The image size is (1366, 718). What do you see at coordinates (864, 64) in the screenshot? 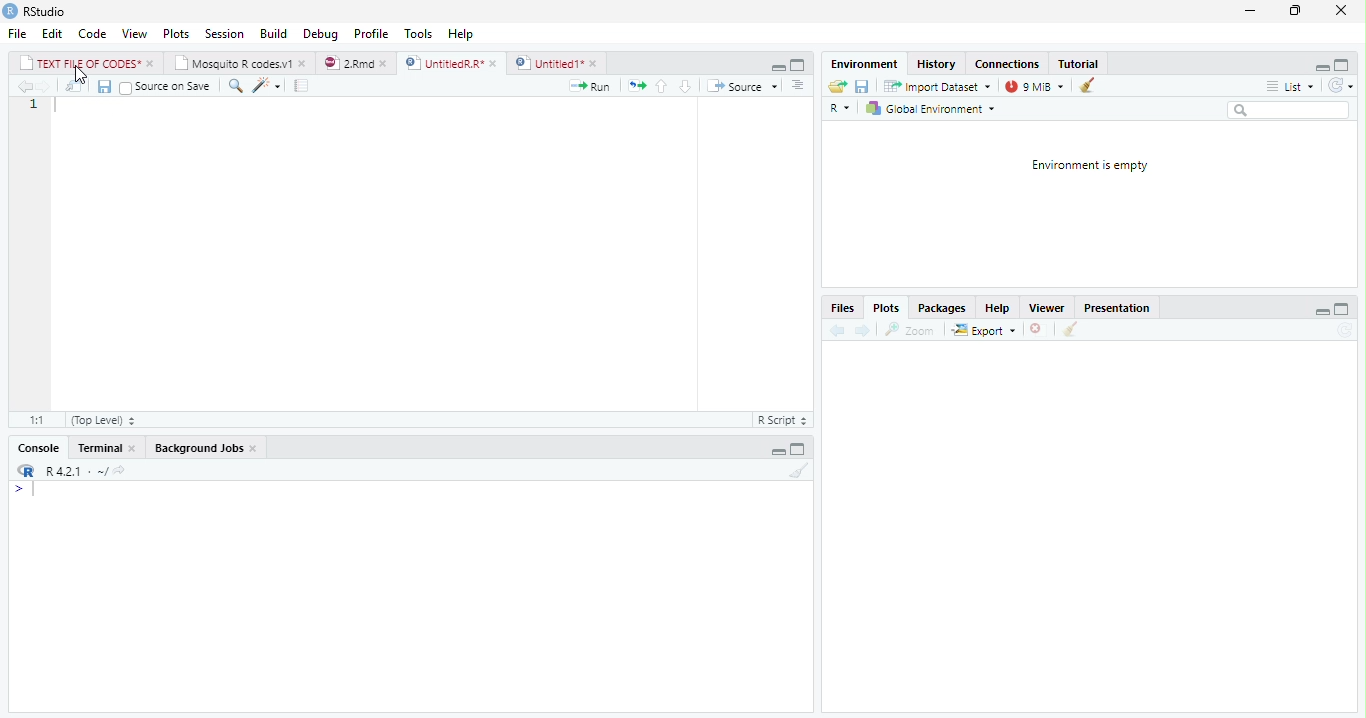
I see `Environment` at bounding box center [864, 64].